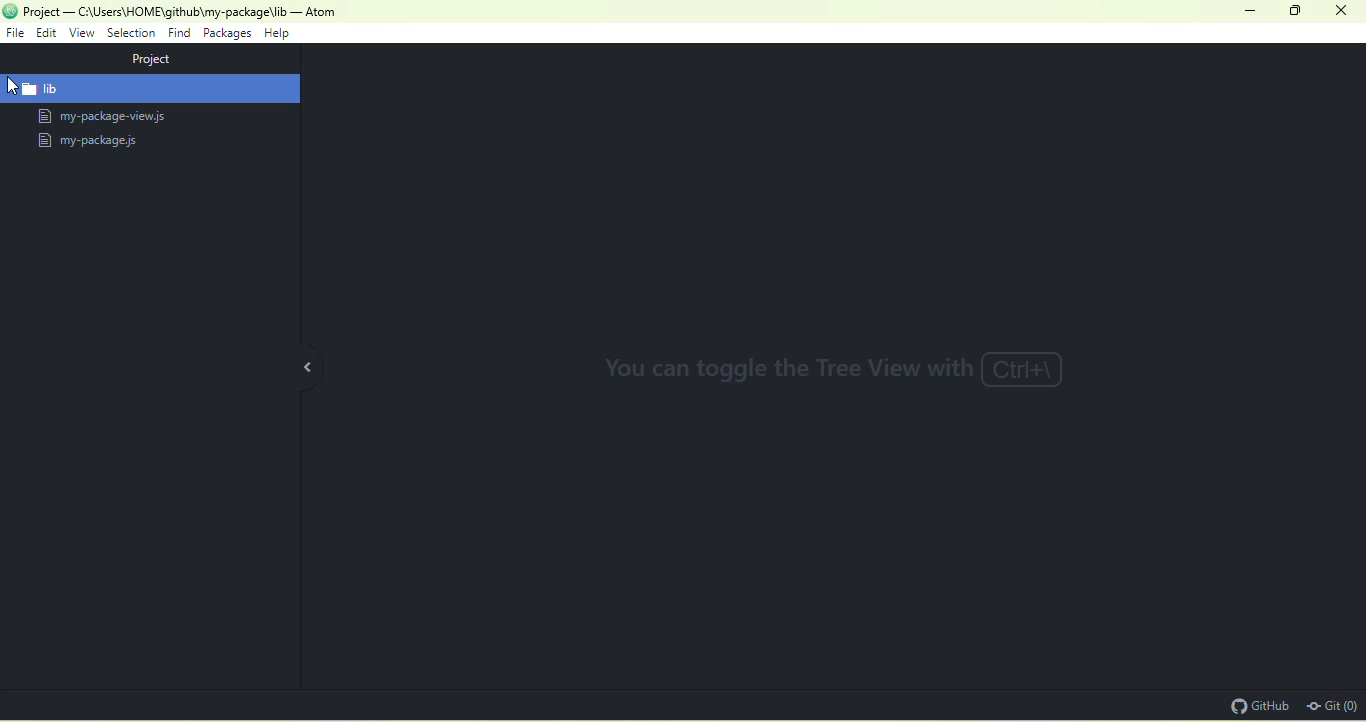  I want to click on find, so click(180, 34).